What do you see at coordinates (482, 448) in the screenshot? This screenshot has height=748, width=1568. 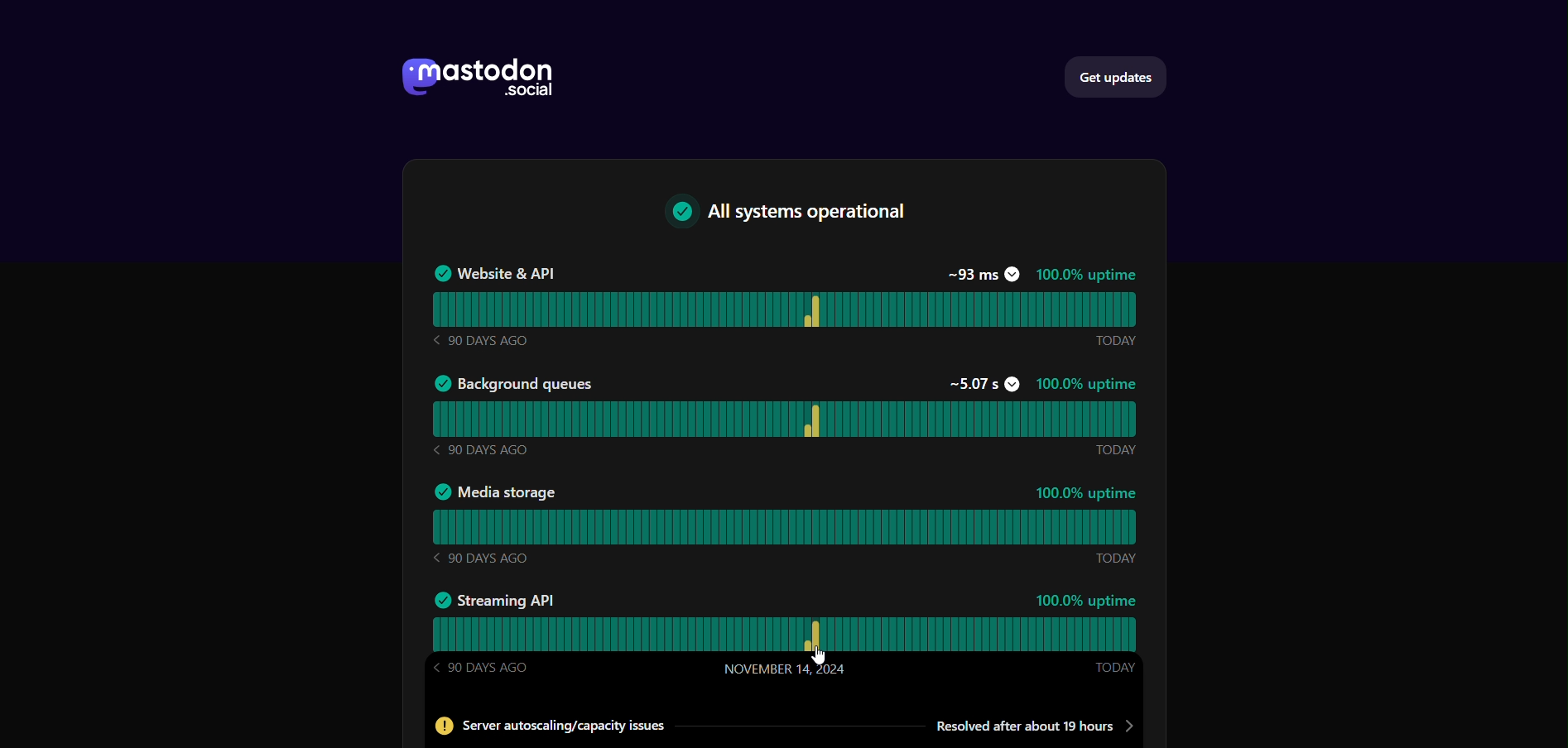 I see `90 days ago` at bounding box center [482, 448].